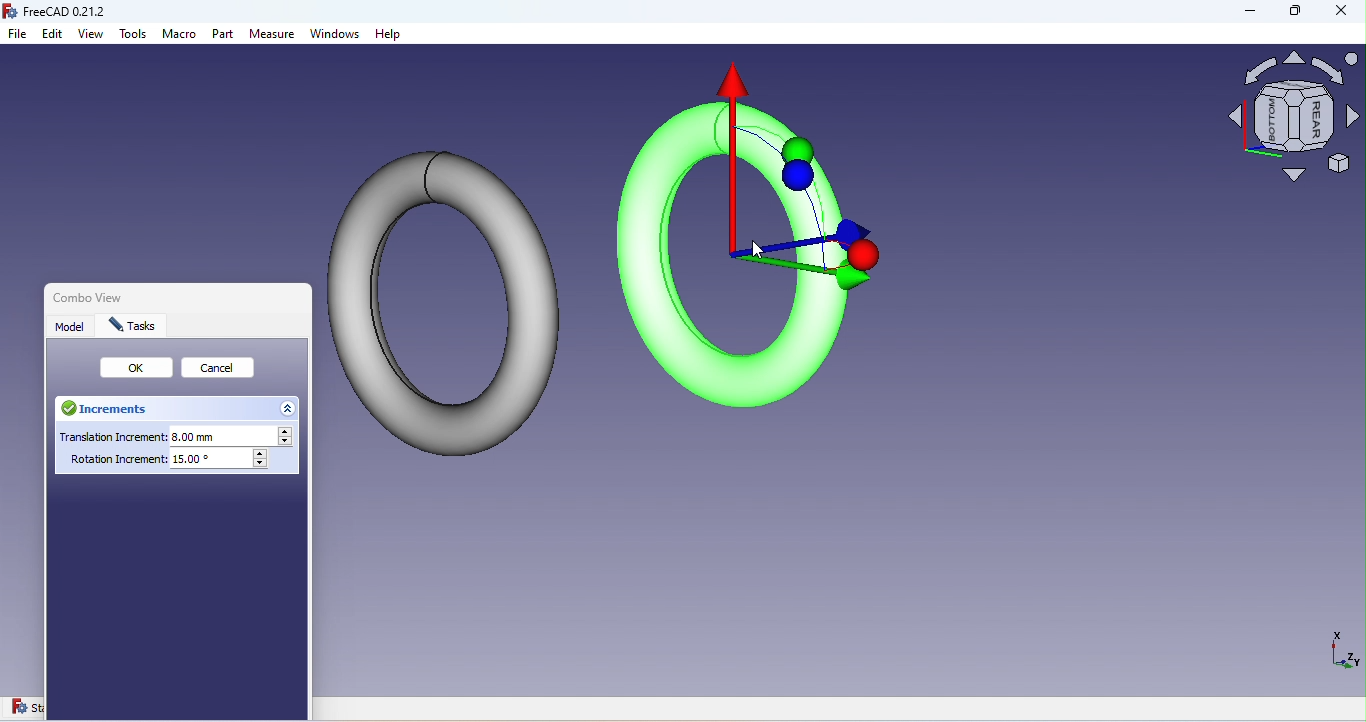 The height and width of the screenshot is (722, 1366). I want to click on Part, so click(224, 36).